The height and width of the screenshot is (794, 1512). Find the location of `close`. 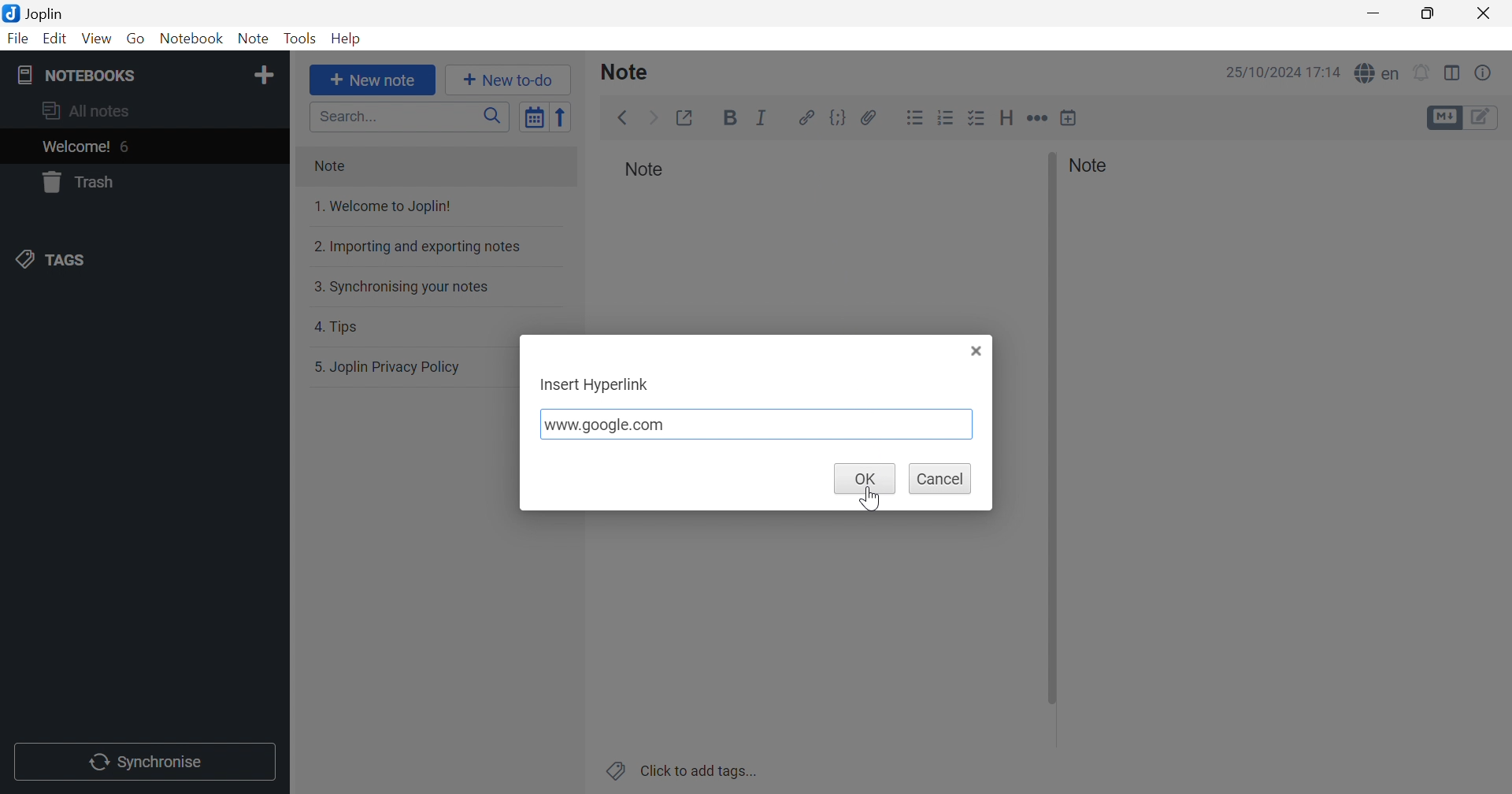

close is located at coordinates (978, 350).